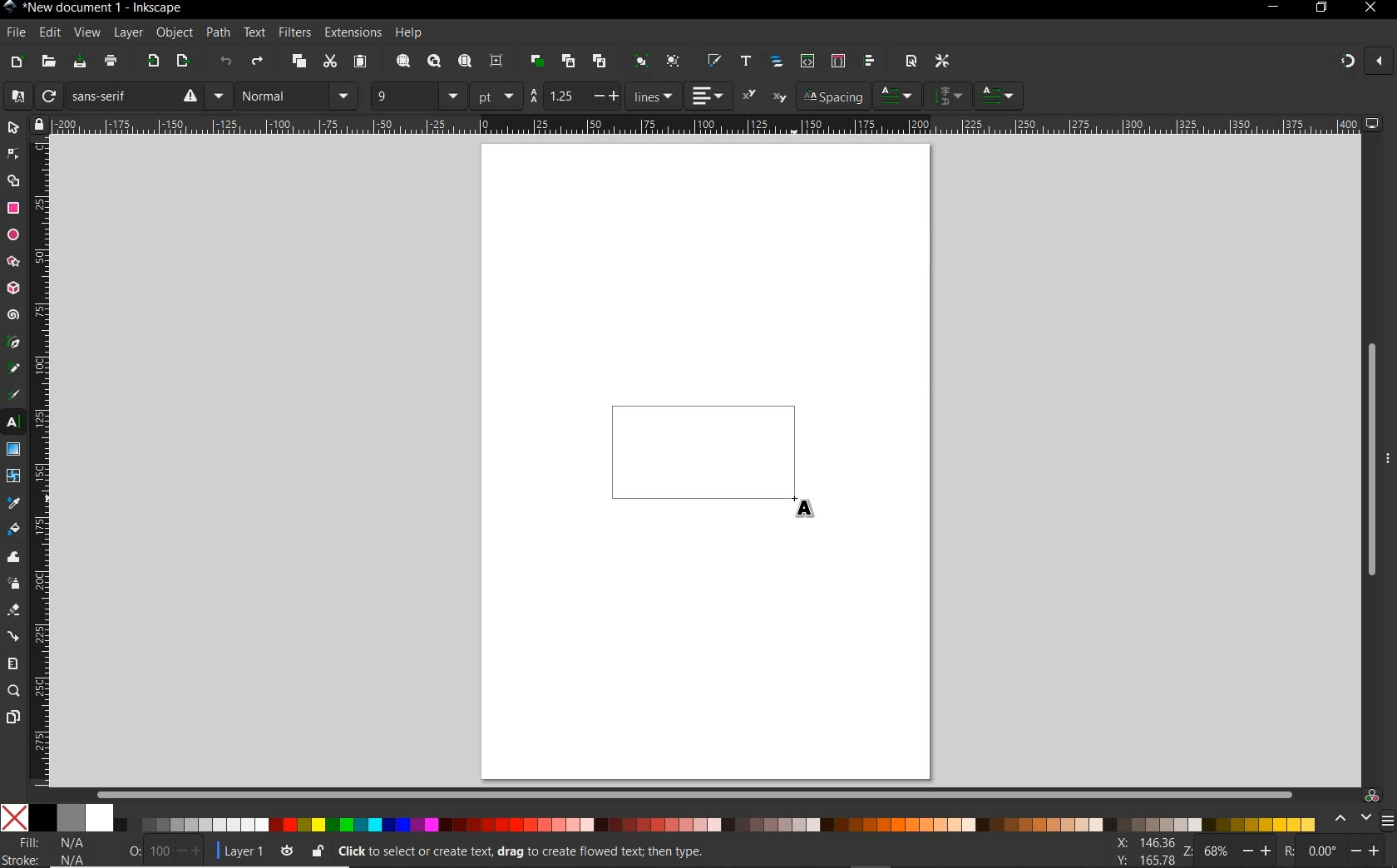  Describe the element at coordinates (658, 817) in the screenshot. I see `color modes` at that location.